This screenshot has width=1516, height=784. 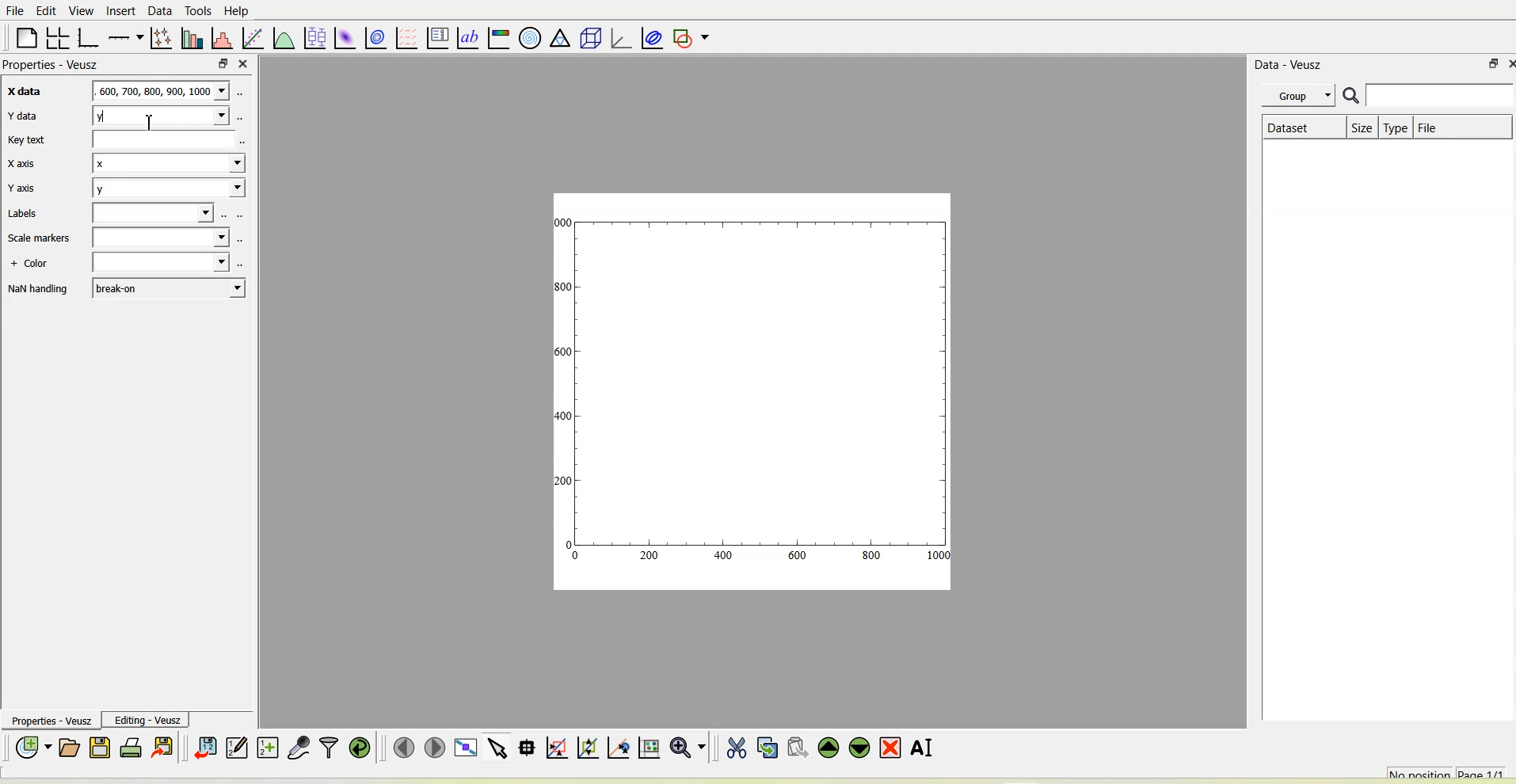 I want to click on Plot covariance ellipses, so click(x=650, y=36).